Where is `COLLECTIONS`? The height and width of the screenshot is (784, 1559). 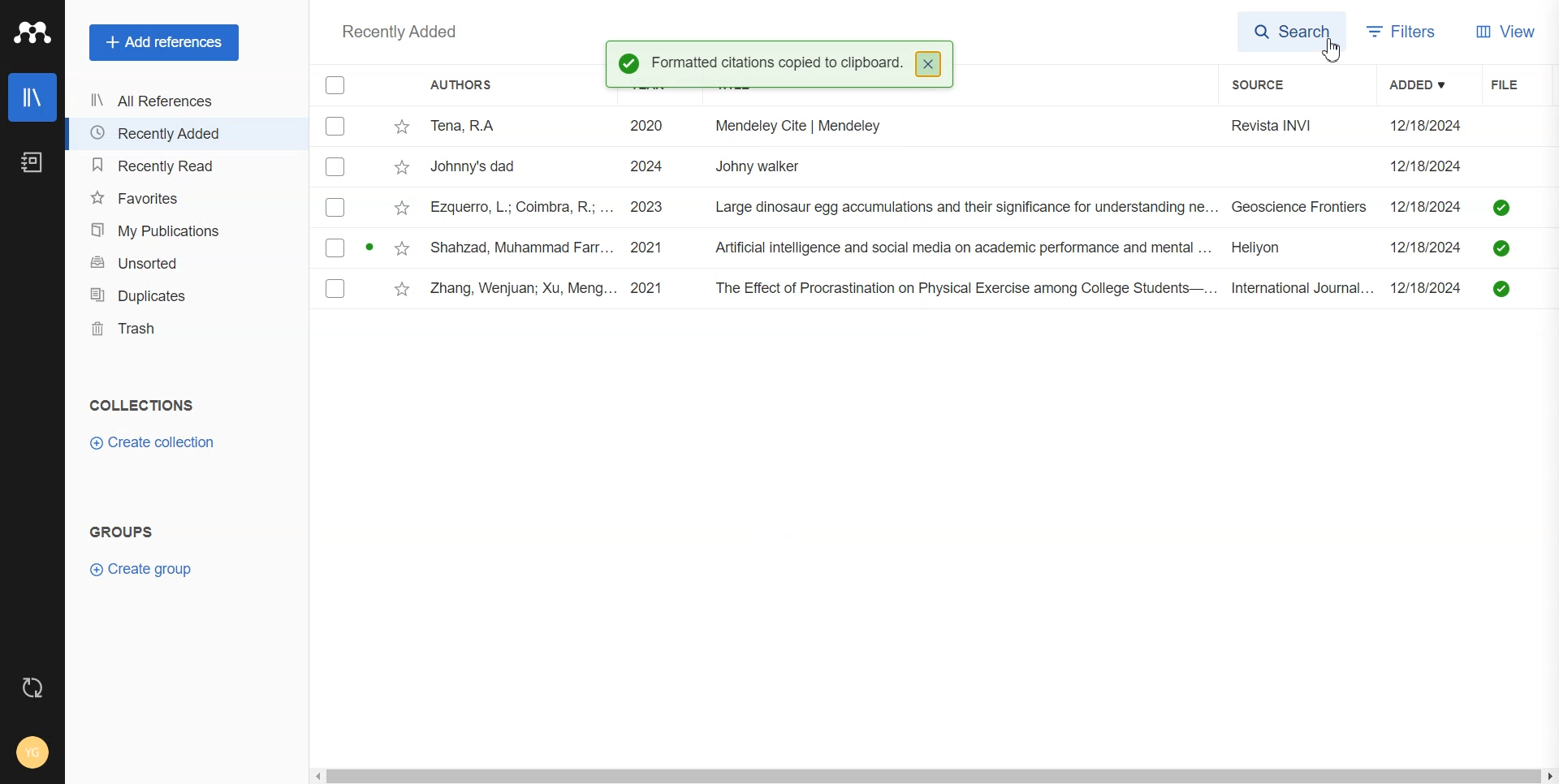
COLLECTIONS is located at coordinates (143, 405).